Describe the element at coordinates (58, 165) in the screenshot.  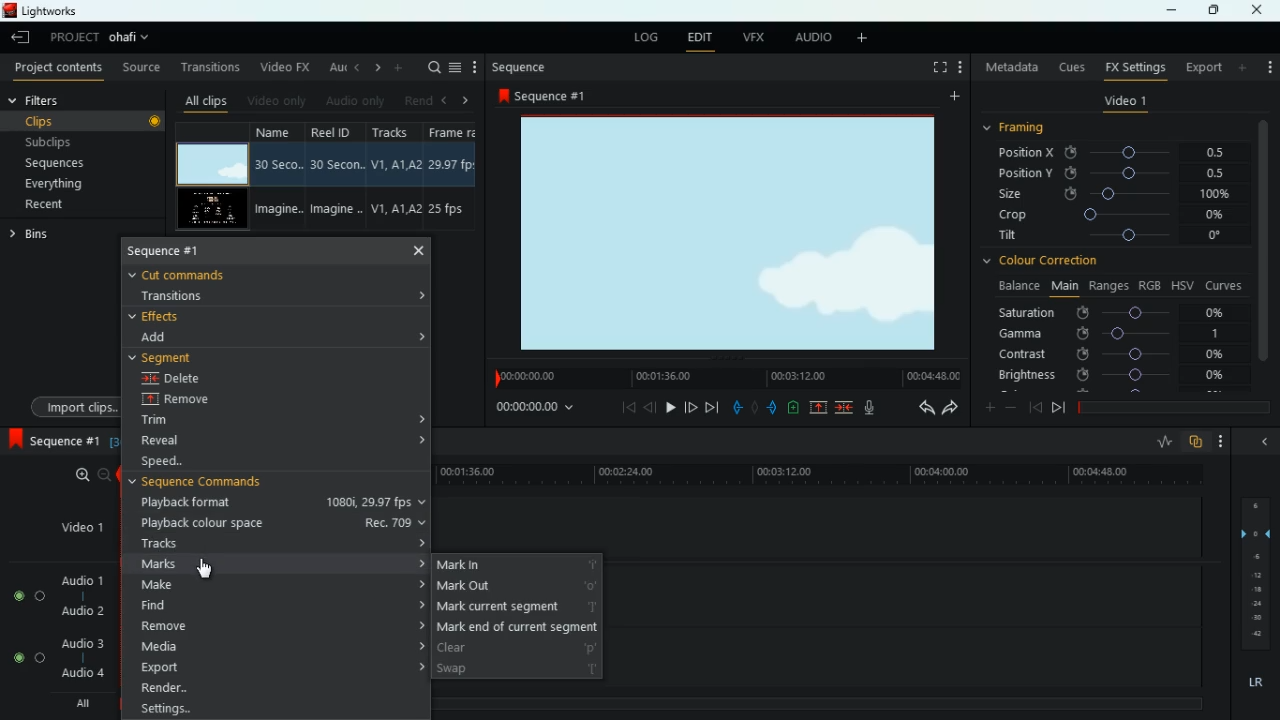
I see `sequences` at that location.